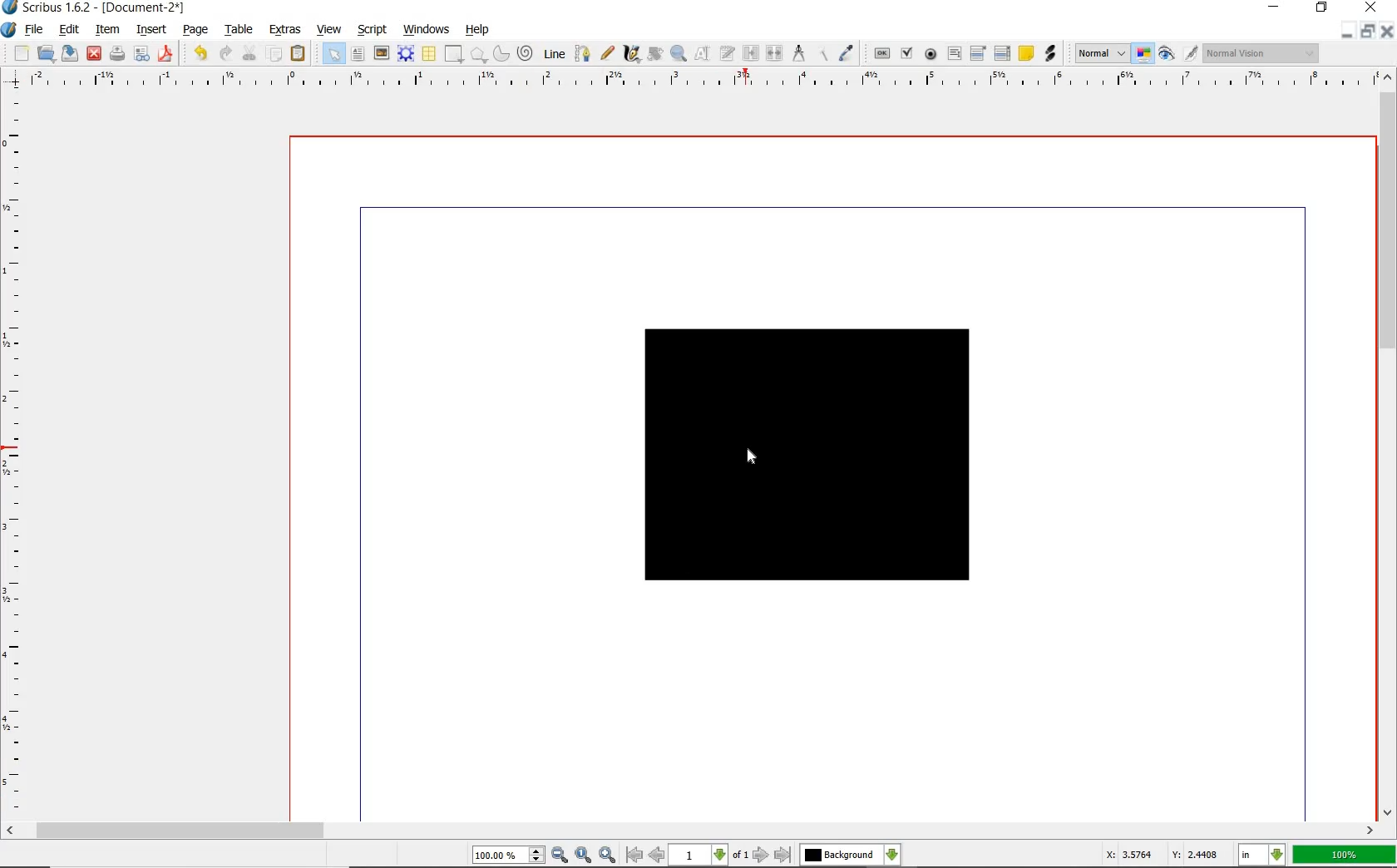 The image size is (1397, 868). Describe the element at coordinates (200, 55) in the screenshot. I see `undo` at that location.